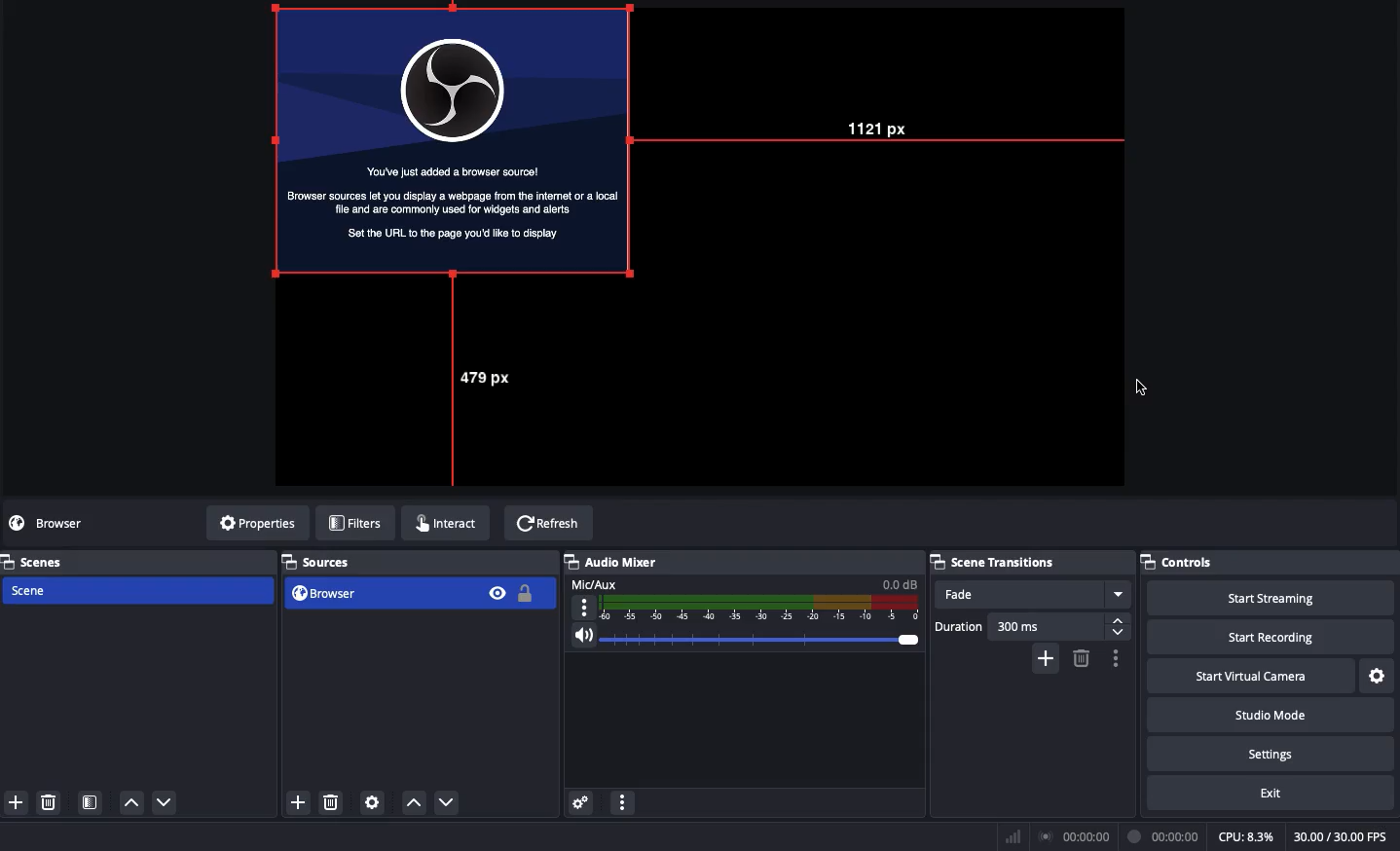 The width and height of the screenshot is (1400, 851). I want to click on add, so click(16, 800).